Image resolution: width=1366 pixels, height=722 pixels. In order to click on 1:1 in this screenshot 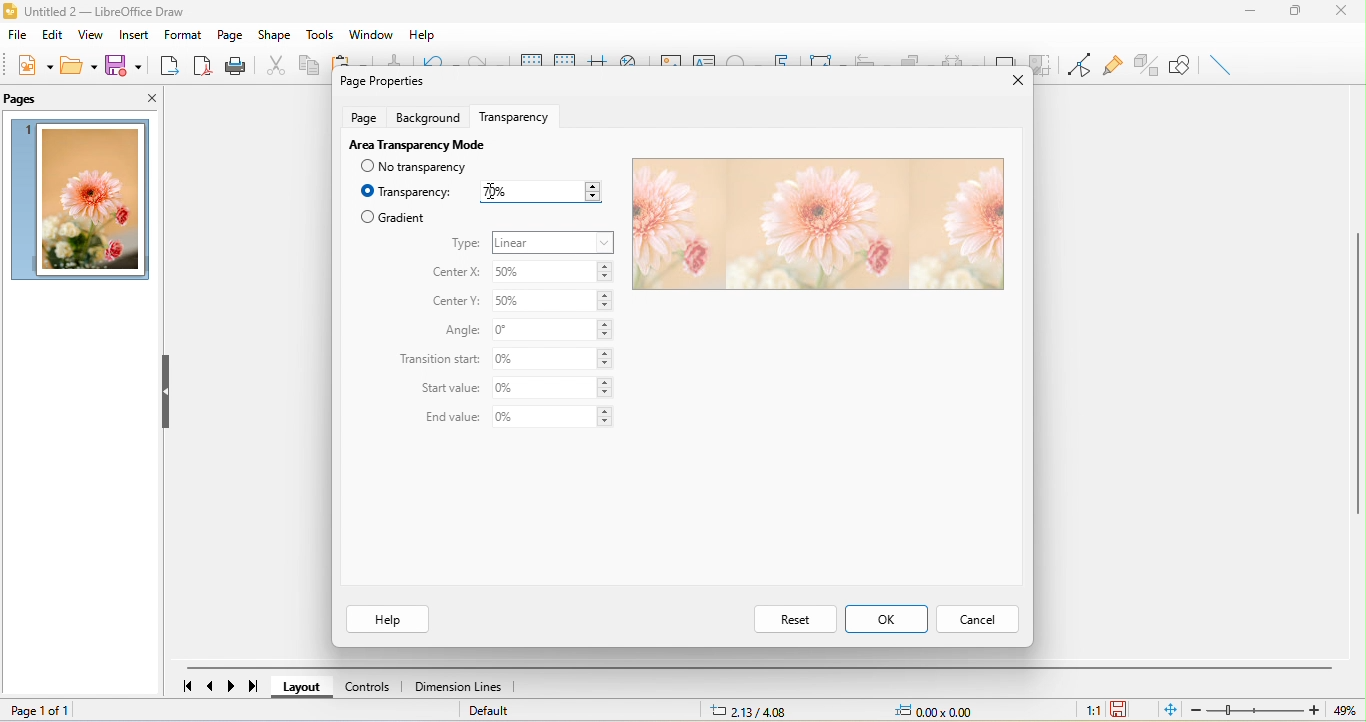, I will do `click(1092, 712)`.